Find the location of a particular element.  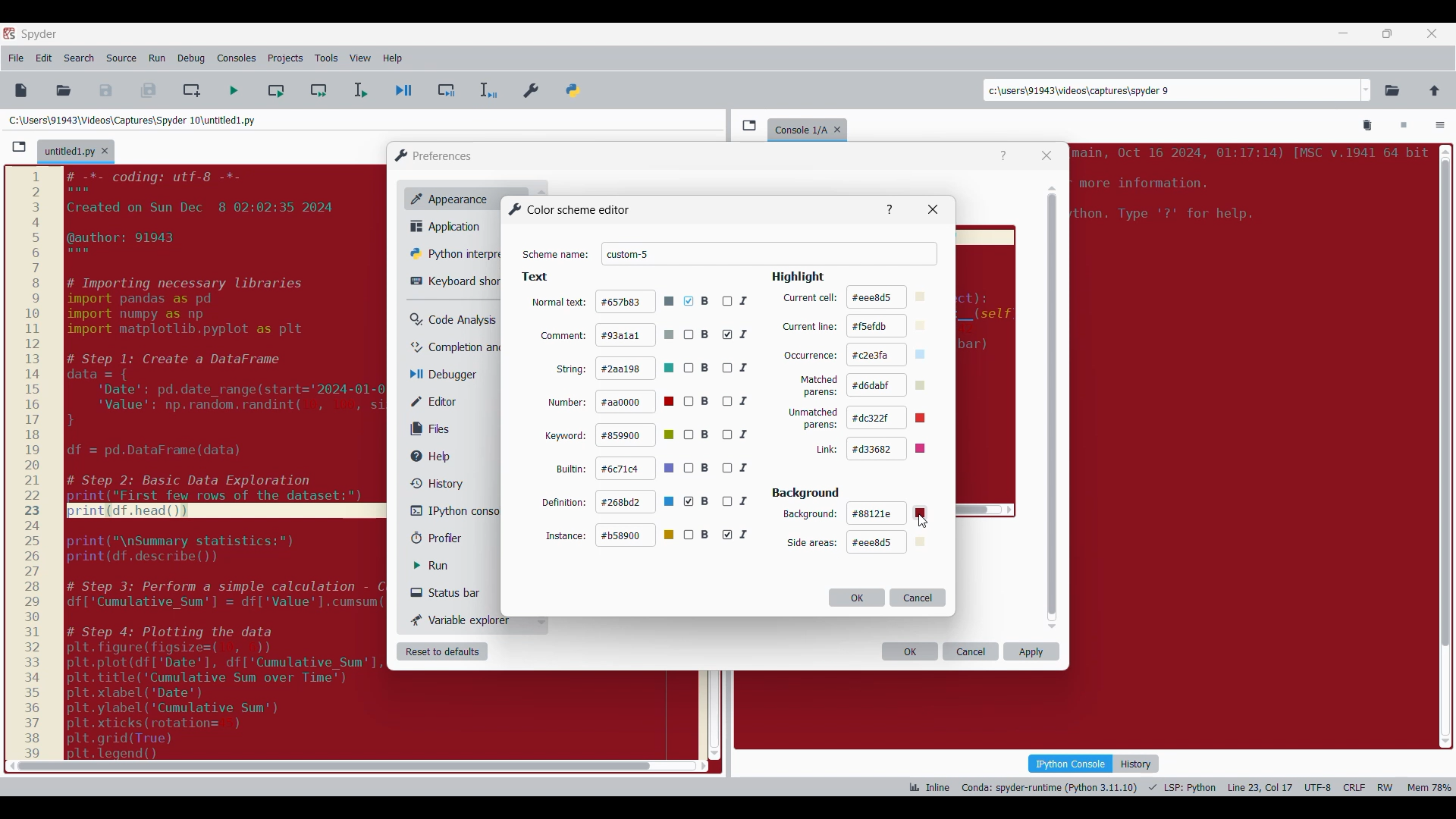

Completion and linting is located at coordinates (456, 347).